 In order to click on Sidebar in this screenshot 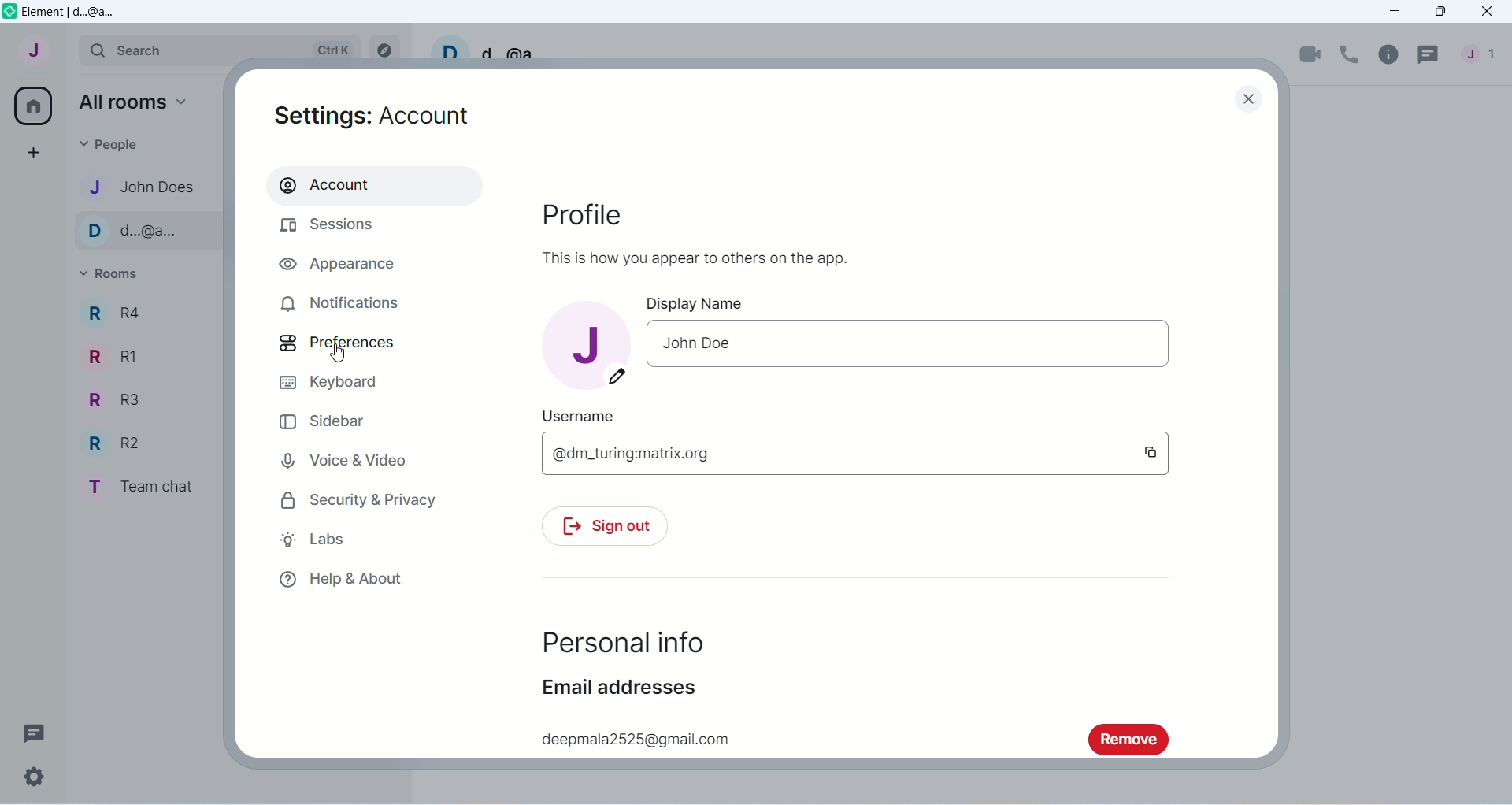, I will do `click(324, 423)`.